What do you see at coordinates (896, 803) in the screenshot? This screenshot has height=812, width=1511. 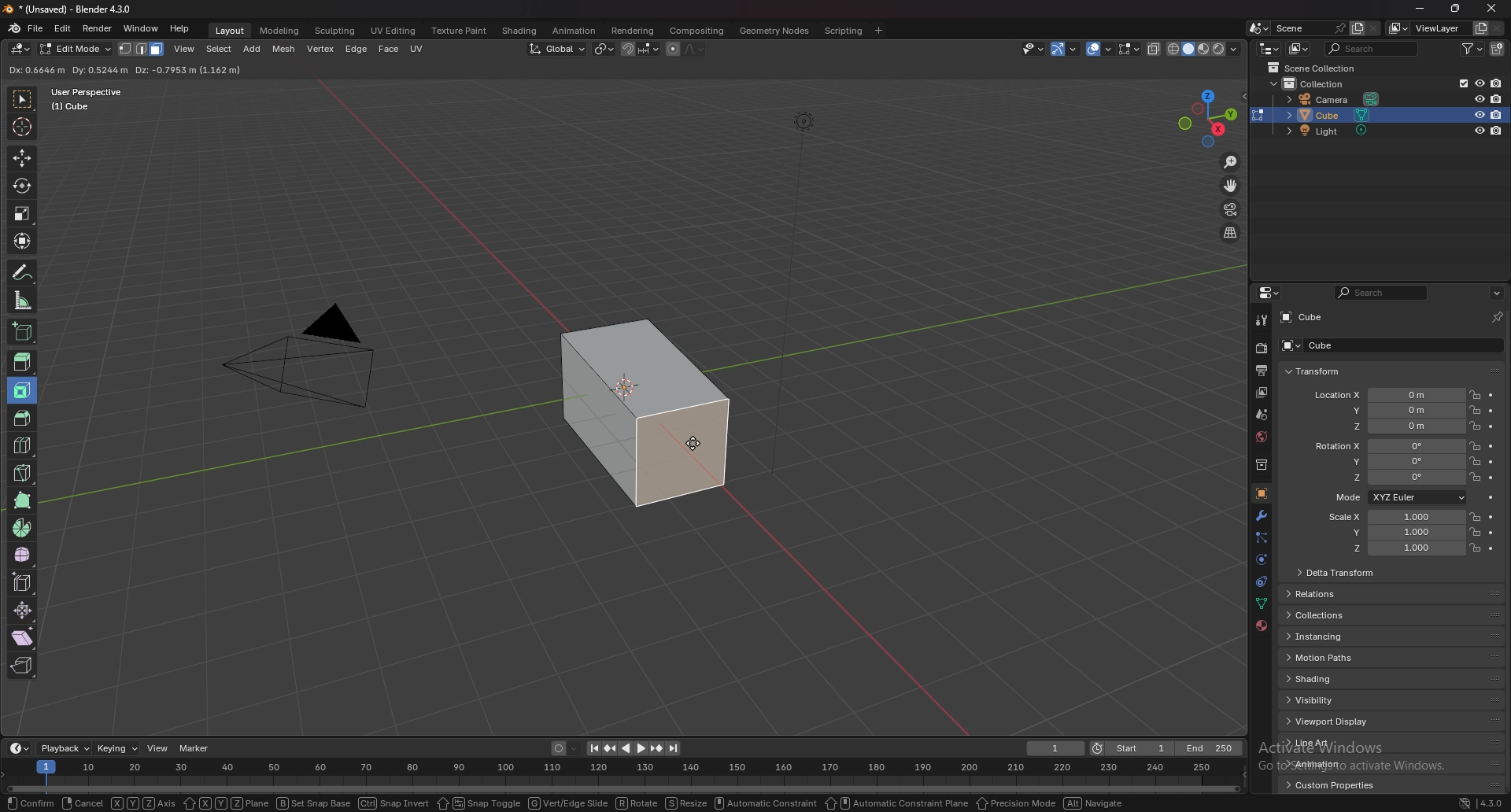 I see `automatic contraint plane` at bounding box center [896, 803].